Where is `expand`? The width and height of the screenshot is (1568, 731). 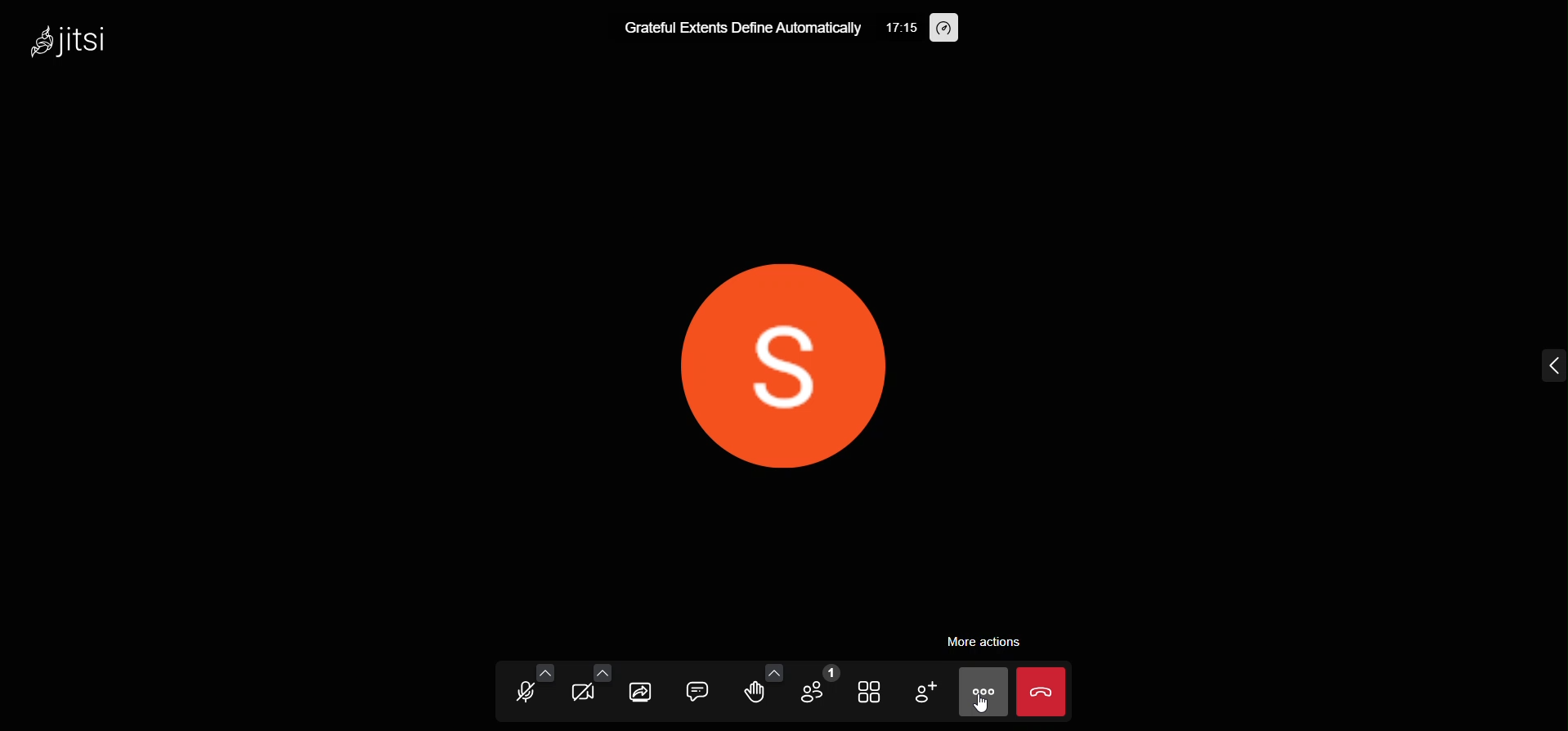
expand is located at coordinates (1545, 361).